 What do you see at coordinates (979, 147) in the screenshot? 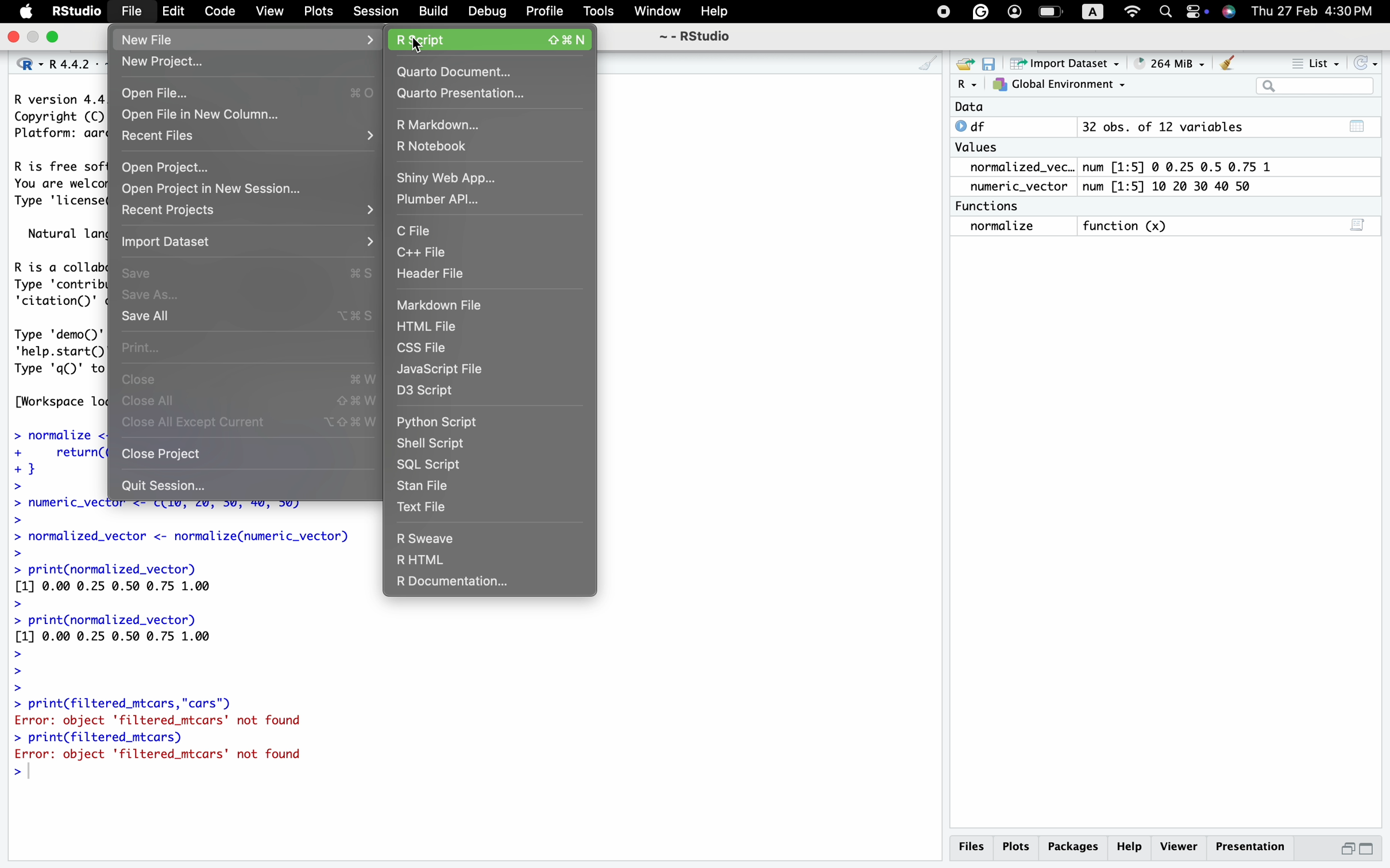
I see `values` at bounding box center [979, 147].